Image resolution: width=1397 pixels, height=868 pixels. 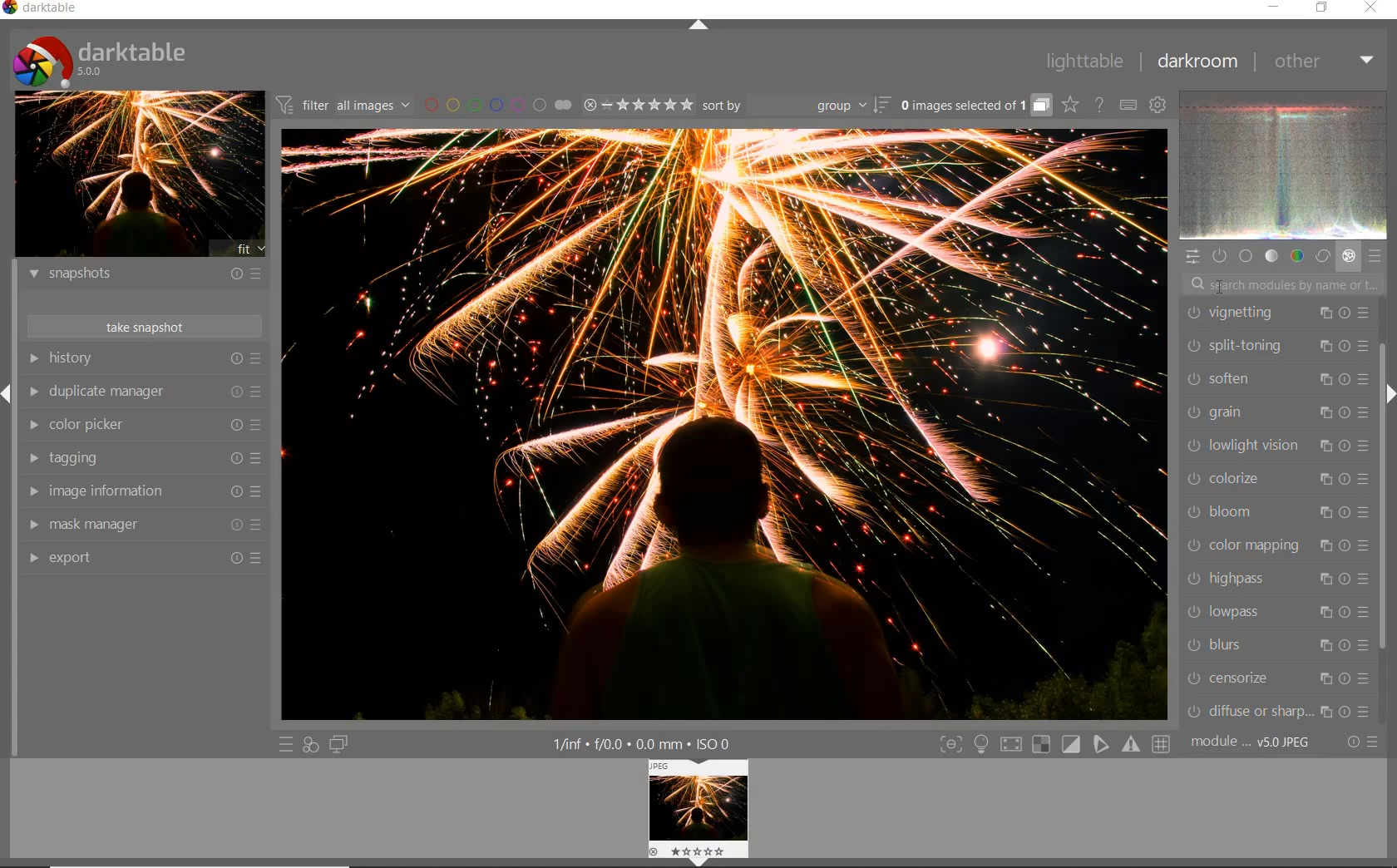 What do you see at coordinates (975, 104) in the screenshot?
I see `grouped images` at bounding box center [975, 104].